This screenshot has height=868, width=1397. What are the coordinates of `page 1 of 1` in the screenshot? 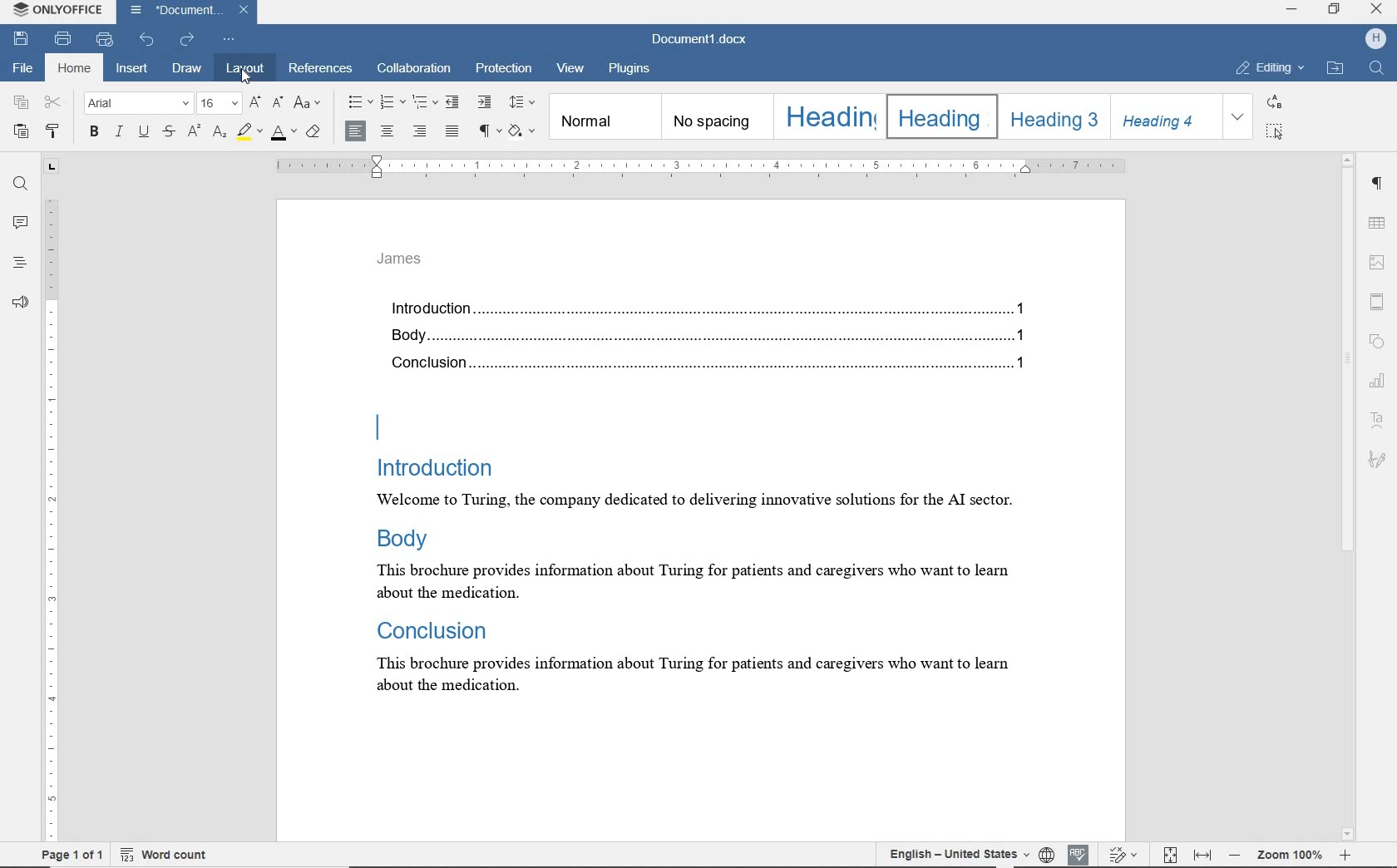 It's located at (72, 854).